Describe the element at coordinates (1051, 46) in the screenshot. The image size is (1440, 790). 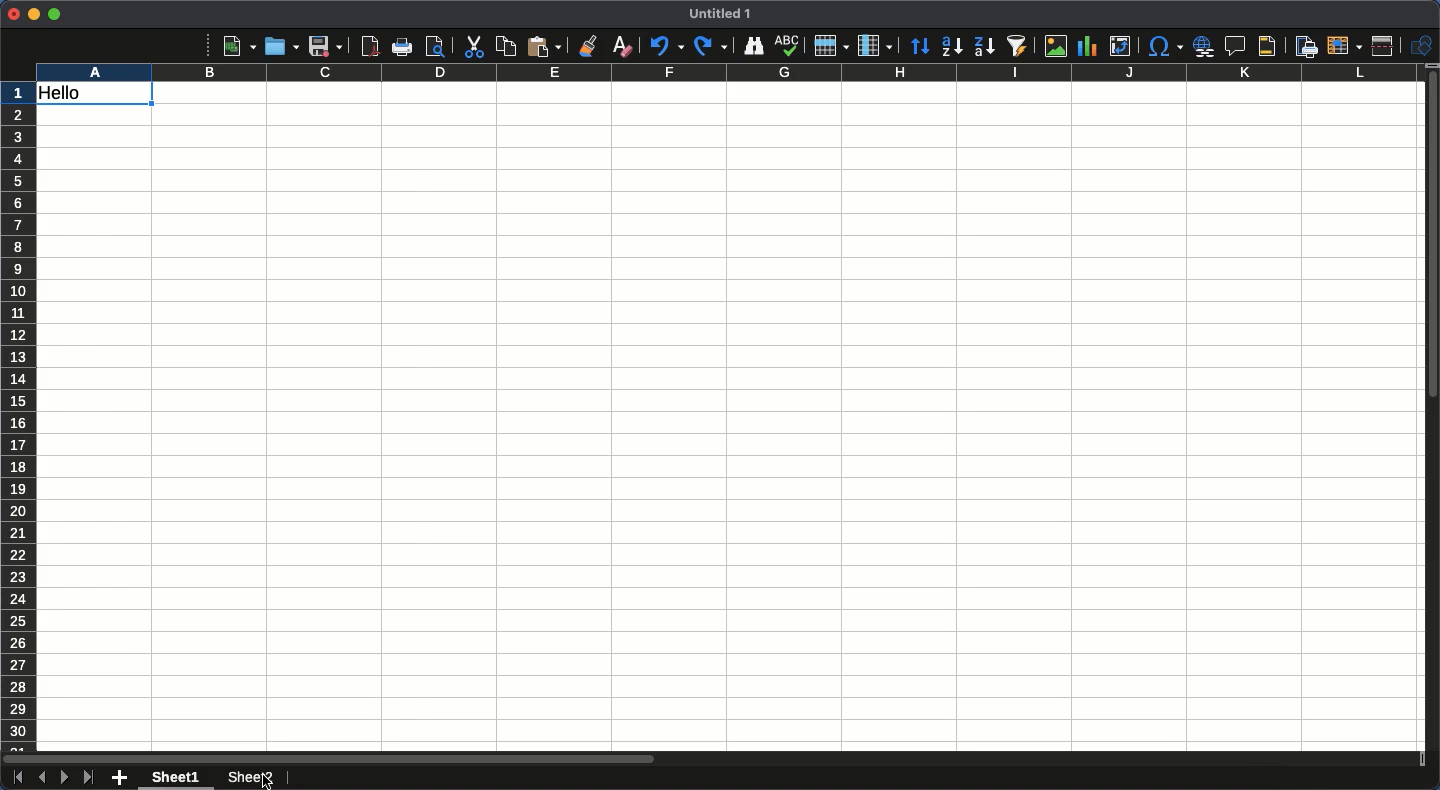
I see `Image` at that location.